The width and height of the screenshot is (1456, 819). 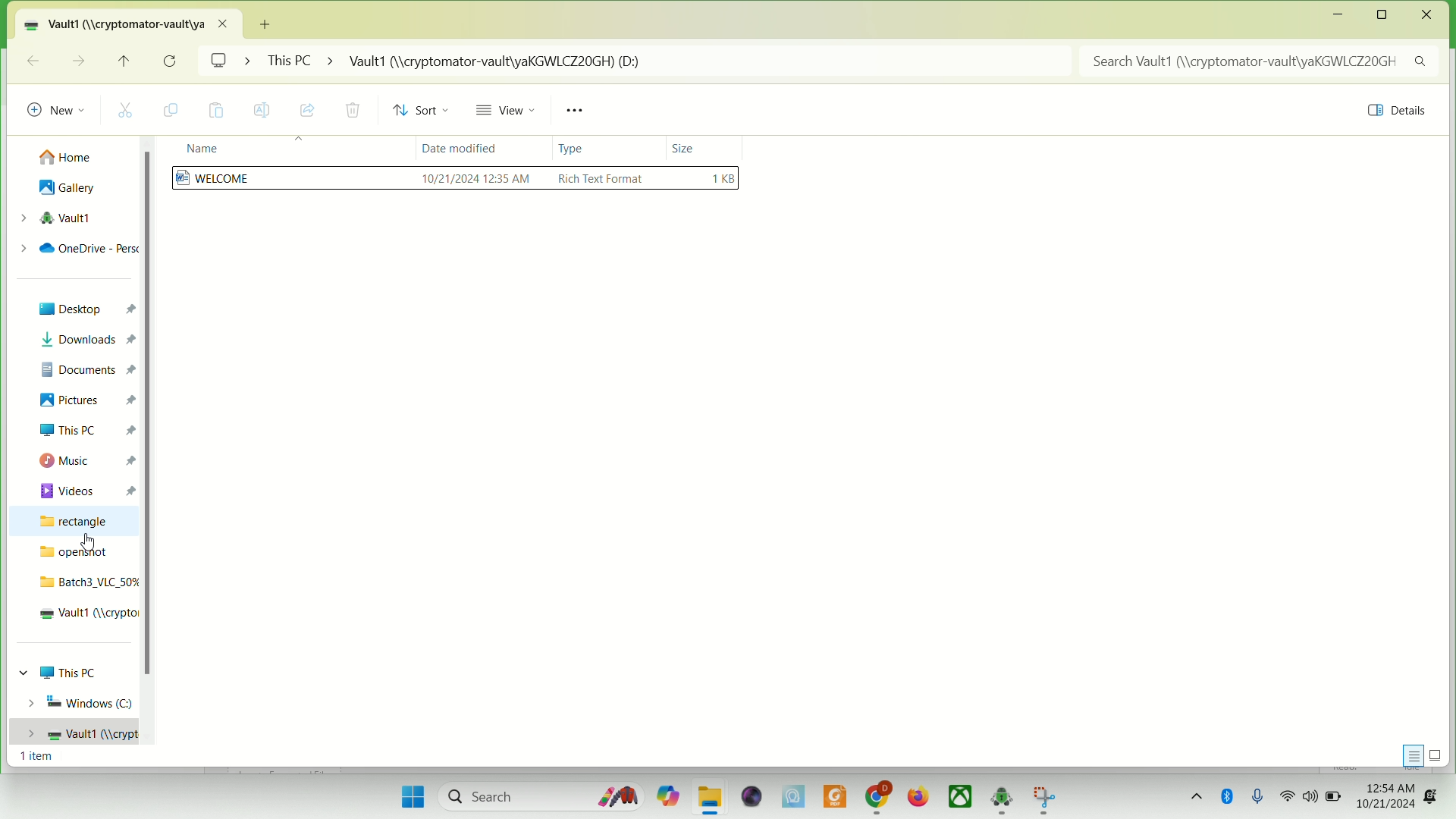 What do you see at coordinates (1387, 15) in the screenshot?
I see `maximize` at bounding box center [1387, 15].